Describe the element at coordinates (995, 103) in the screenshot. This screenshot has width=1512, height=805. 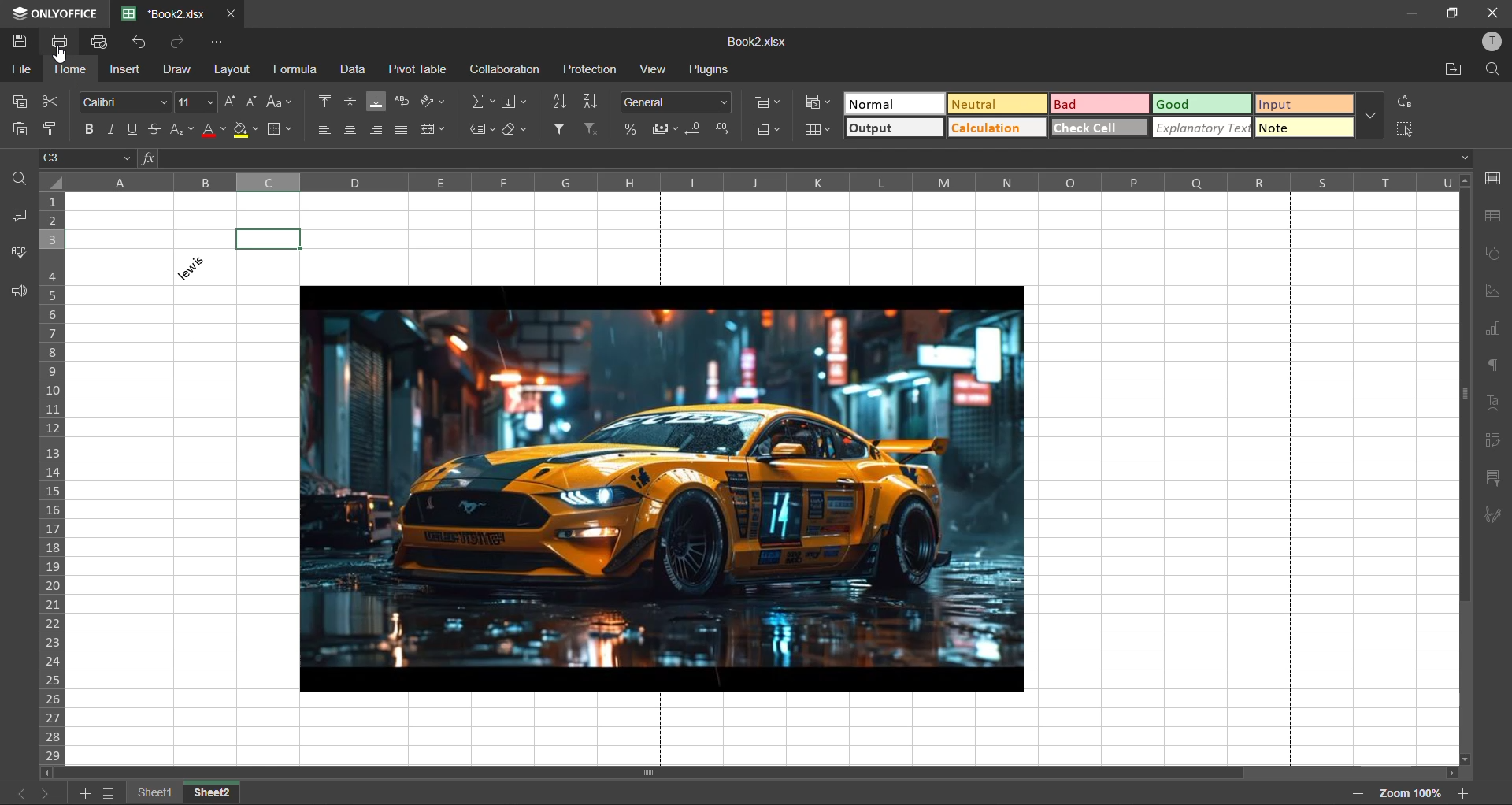
I see `neutral` at that location.